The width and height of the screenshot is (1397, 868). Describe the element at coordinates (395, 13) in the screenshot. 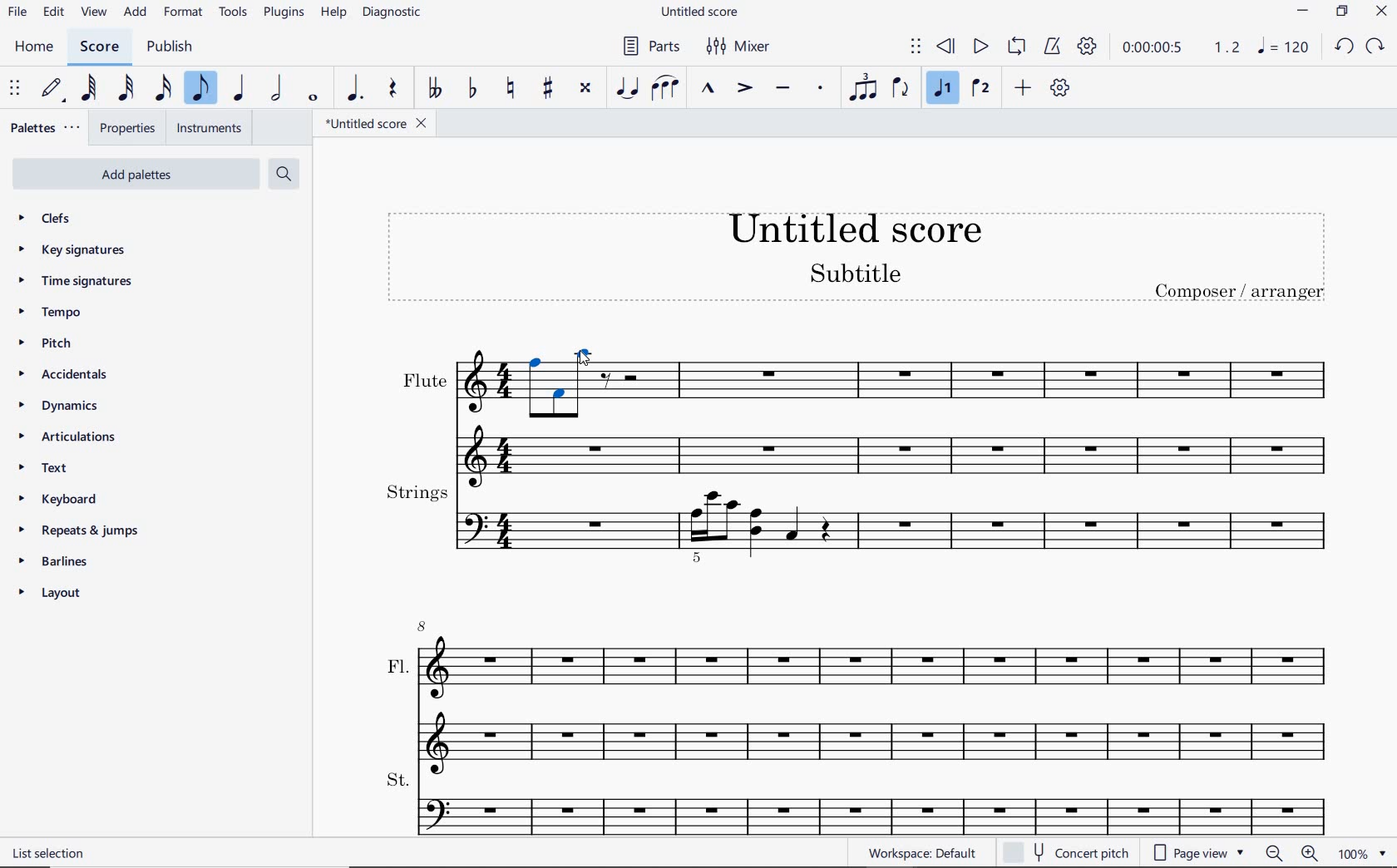

I see `DIAGNOSTIC` at that location.